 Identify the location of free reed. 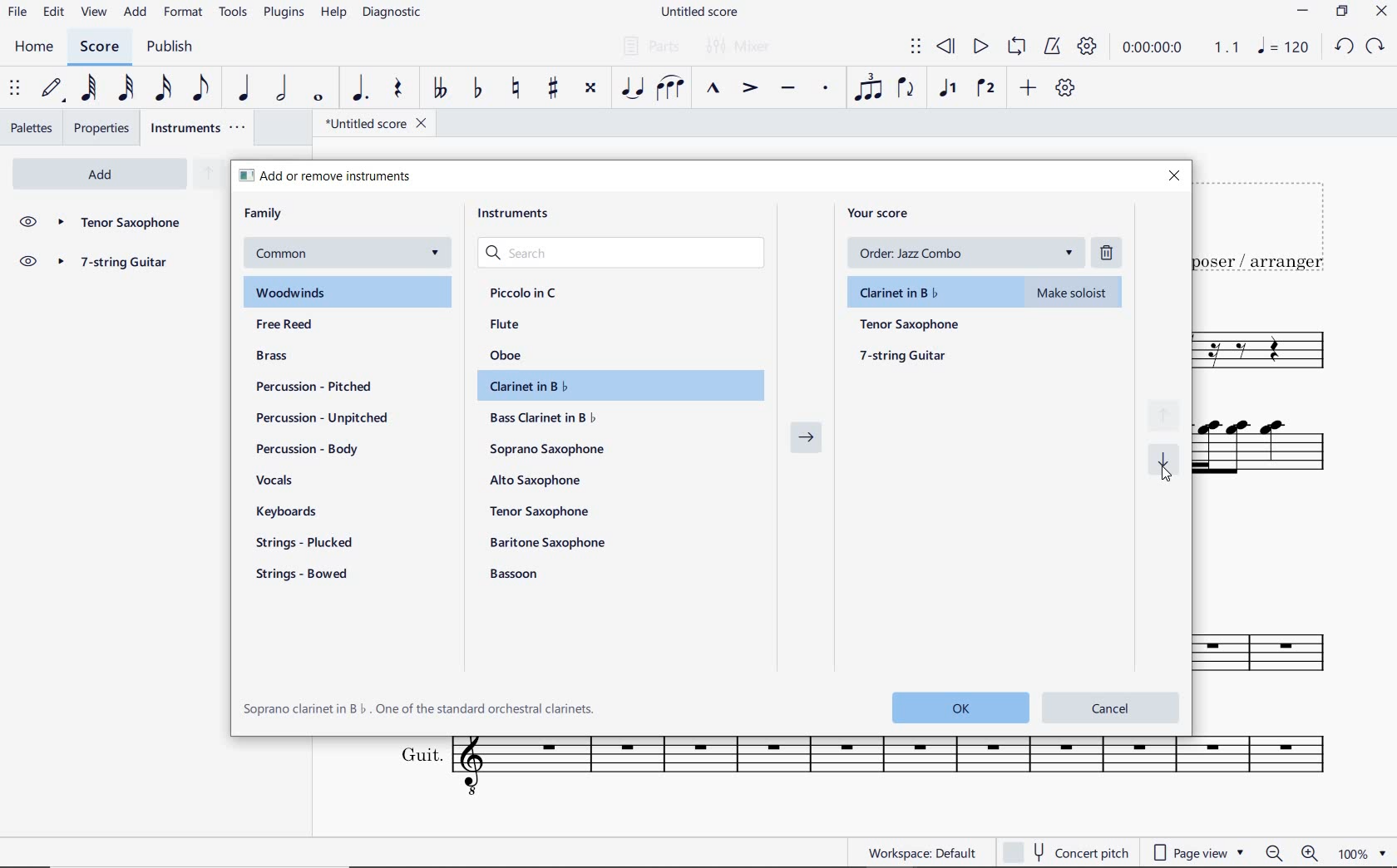
(317, 326).